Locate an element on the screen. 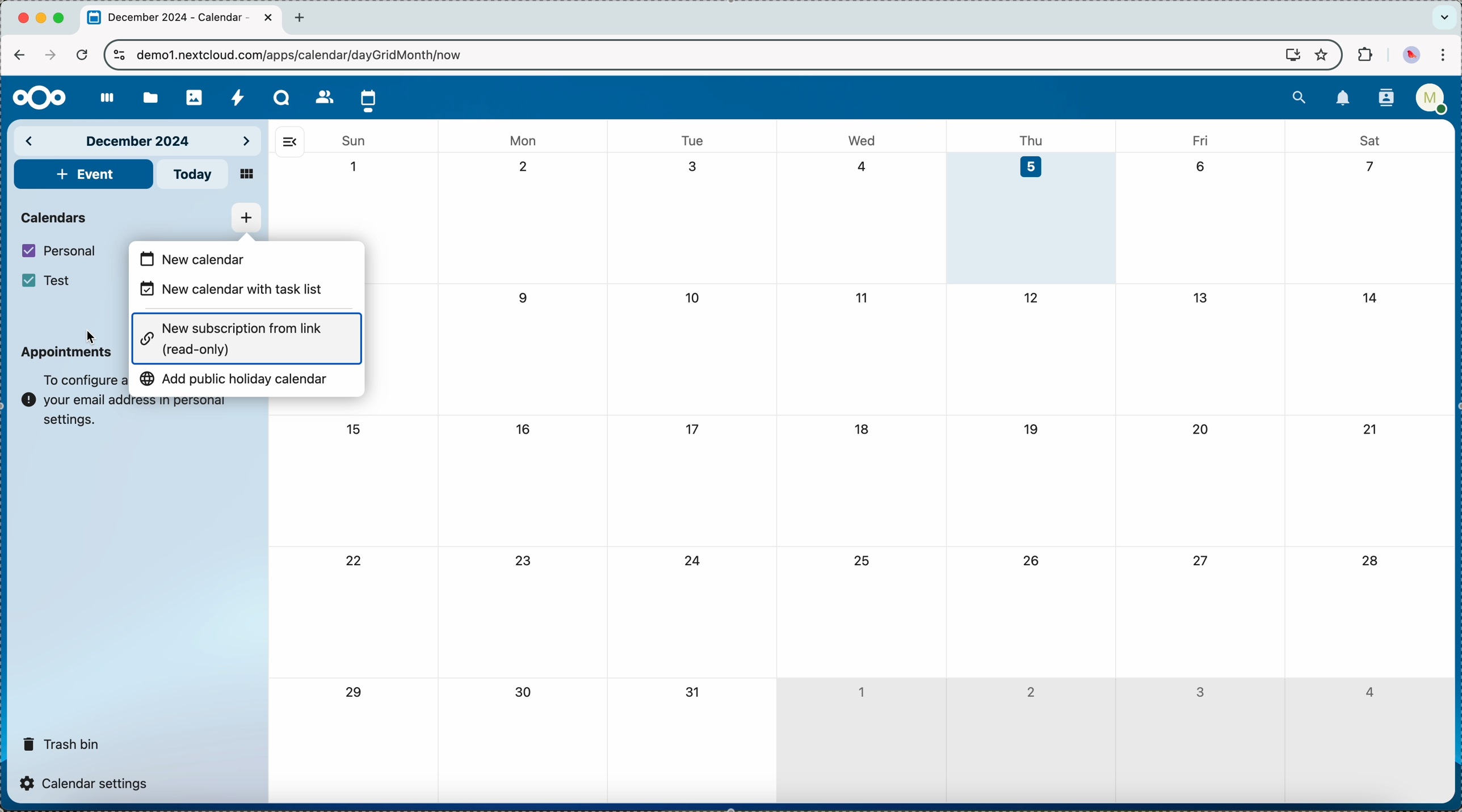 The width and height of the screenshot is (1462, 812). personal is located at coordinates (61, 251).